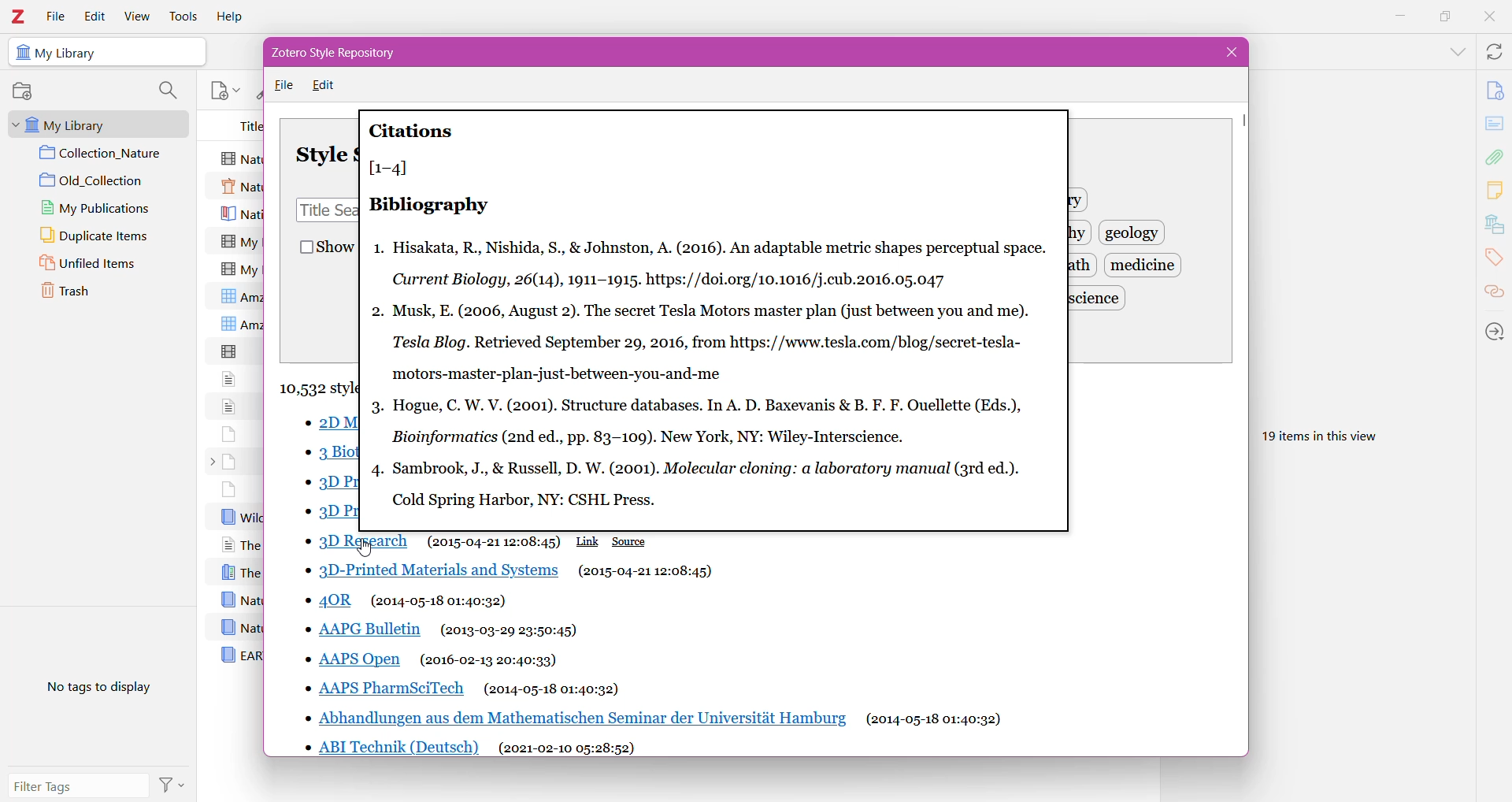 This screenshot has height=802, width=1512. I want to click on 1., so click(376, 251).